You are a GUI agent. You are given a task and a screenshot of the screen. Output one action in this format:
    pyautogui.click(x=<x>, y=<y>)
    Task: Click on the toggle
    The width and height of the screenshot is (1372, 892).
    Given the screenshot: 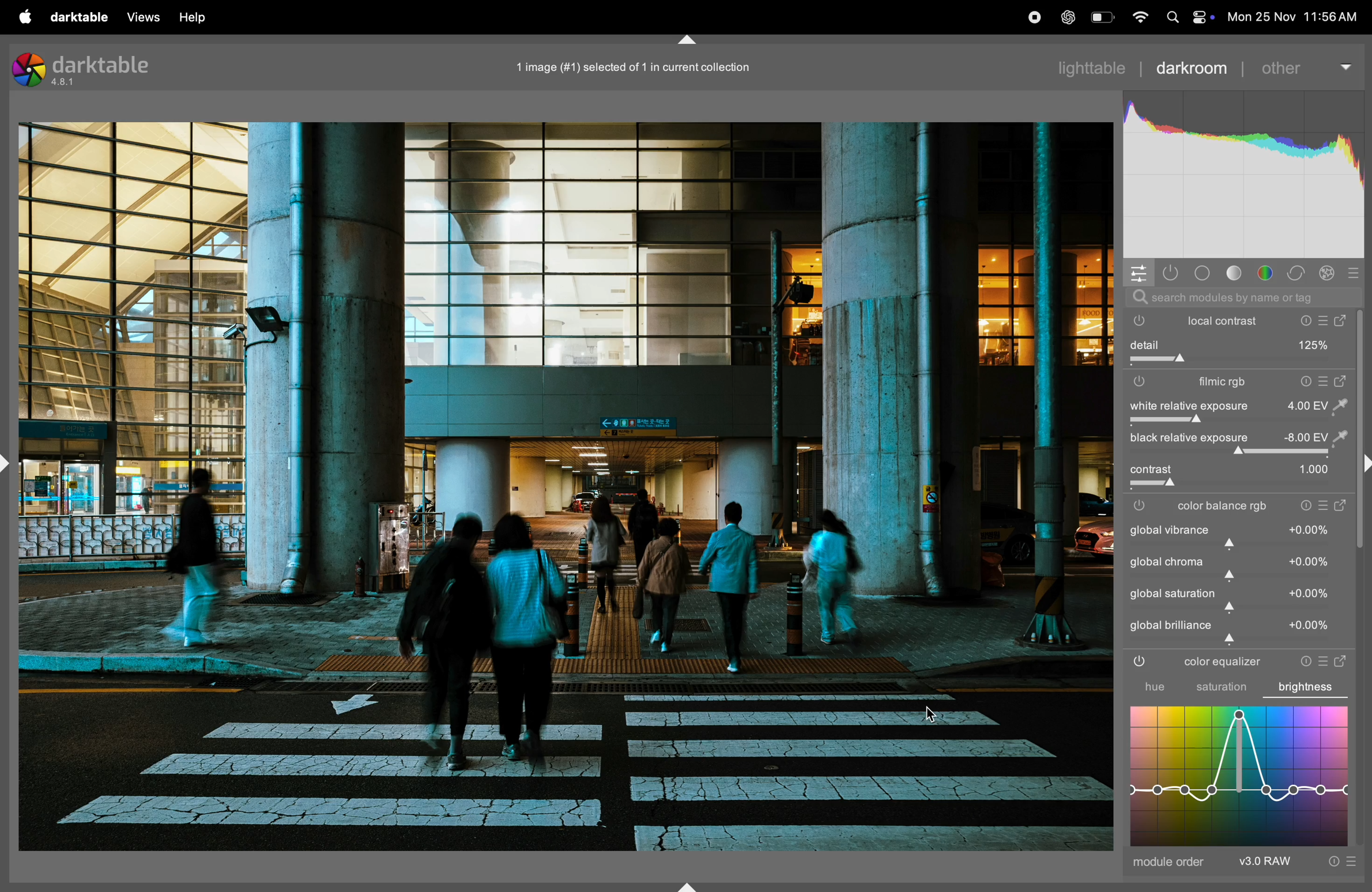 What is the action you would take?
    pyautogui.click(x=1237, y=453)
    